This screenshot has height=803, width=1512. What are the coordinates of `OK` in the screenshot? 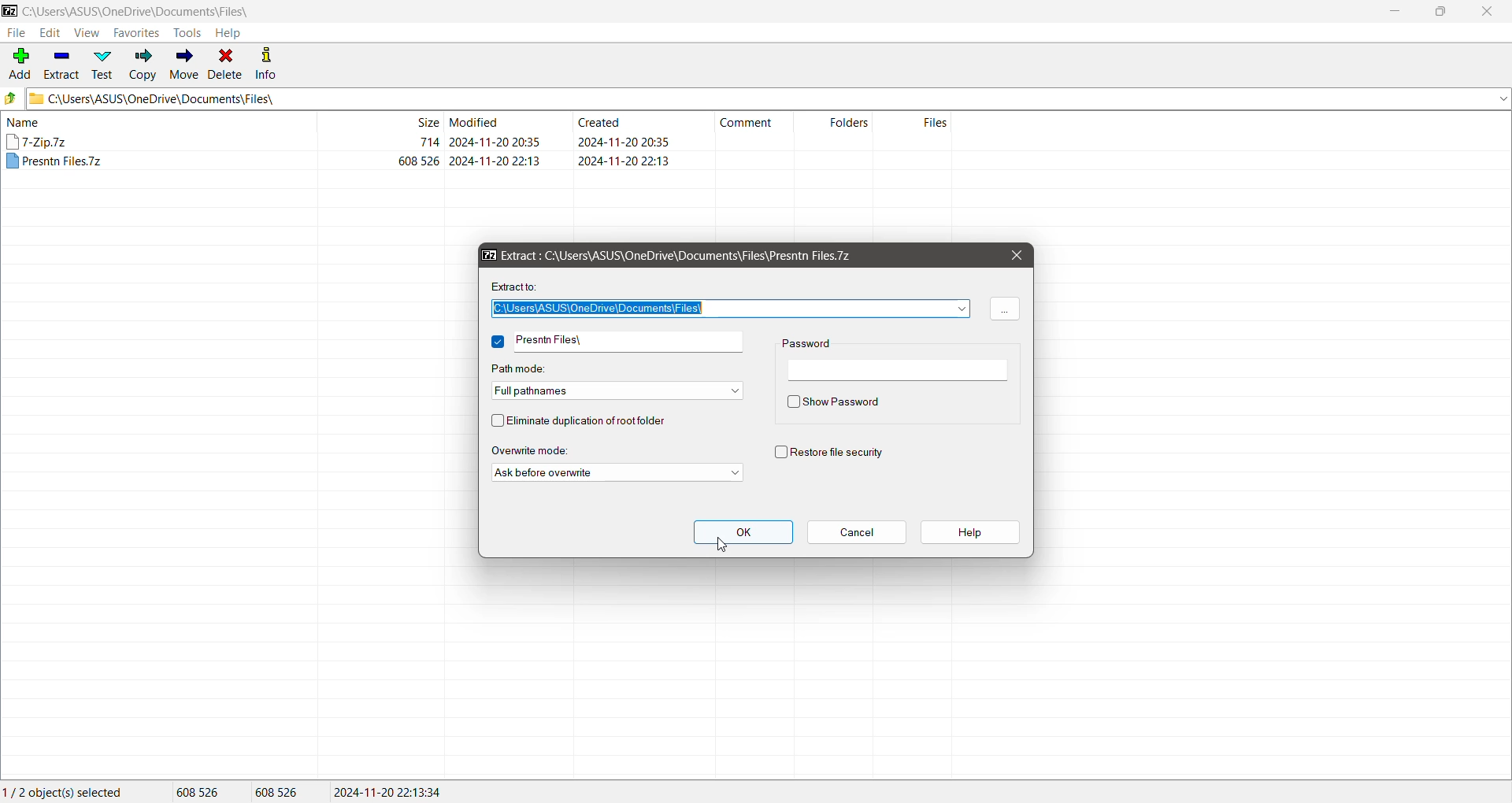 It's located at (743, 531).